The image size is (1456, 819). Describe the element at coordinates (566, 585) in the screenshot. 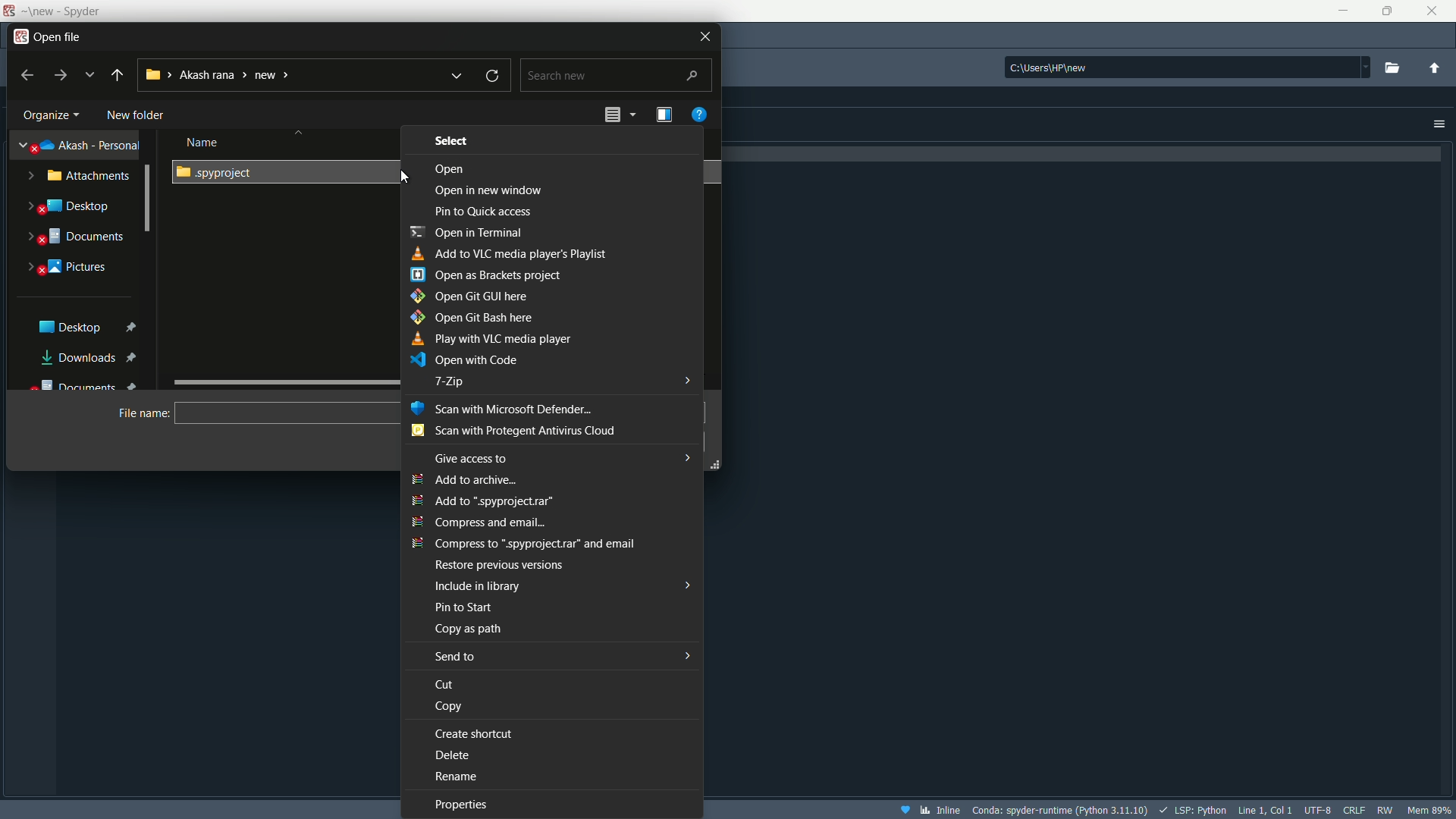

I see `Include in library` at that location.